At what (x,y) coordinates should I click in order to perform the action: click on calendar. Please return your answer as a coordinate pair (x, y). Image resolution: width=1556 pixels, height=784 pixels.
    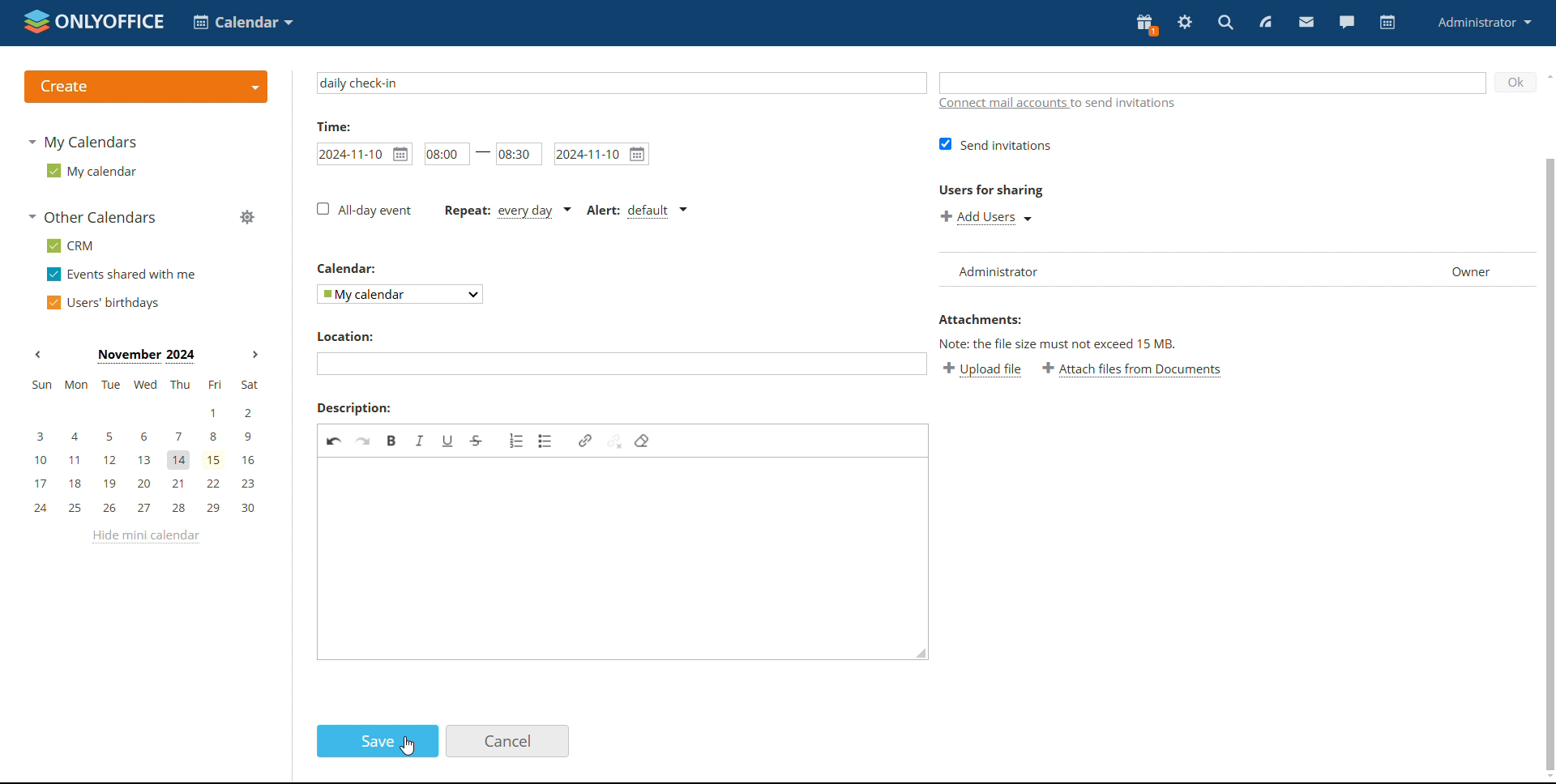
    Looking at the image, I should click on (1387, 23).